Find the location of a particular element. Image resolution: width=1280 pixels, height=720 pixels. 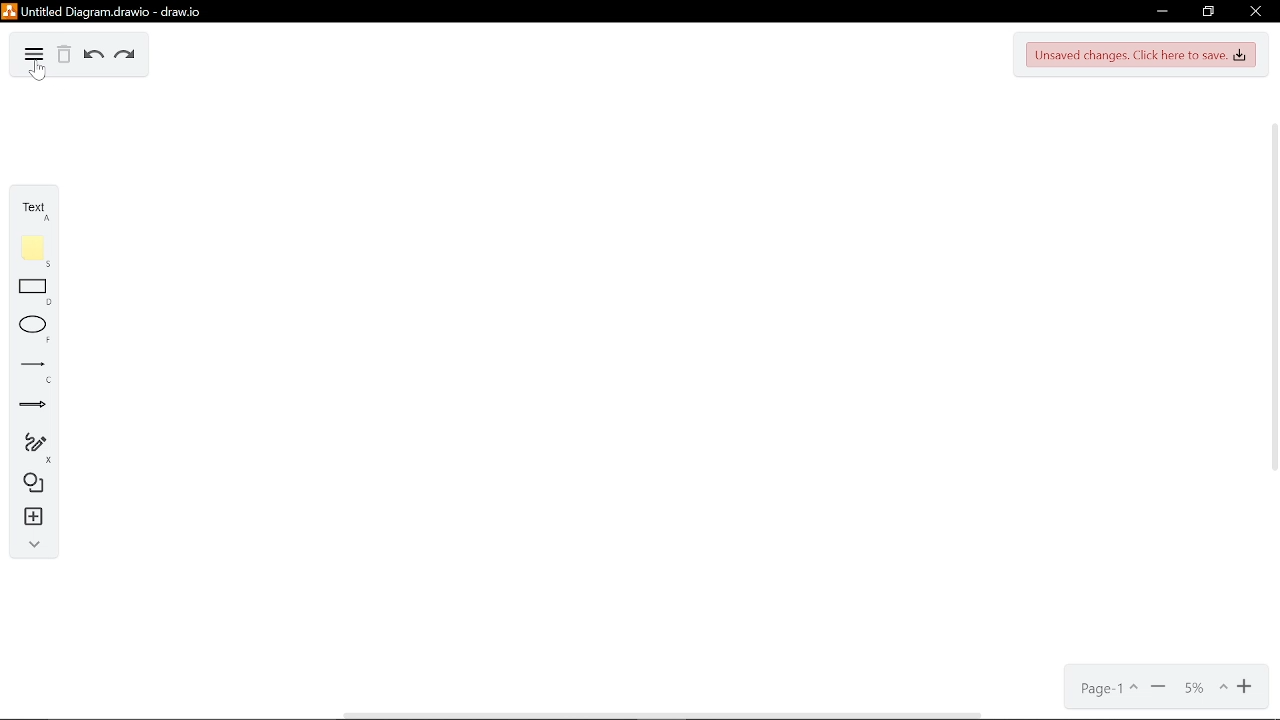

horizontal scrollbar is located at coordinates (660, 714).